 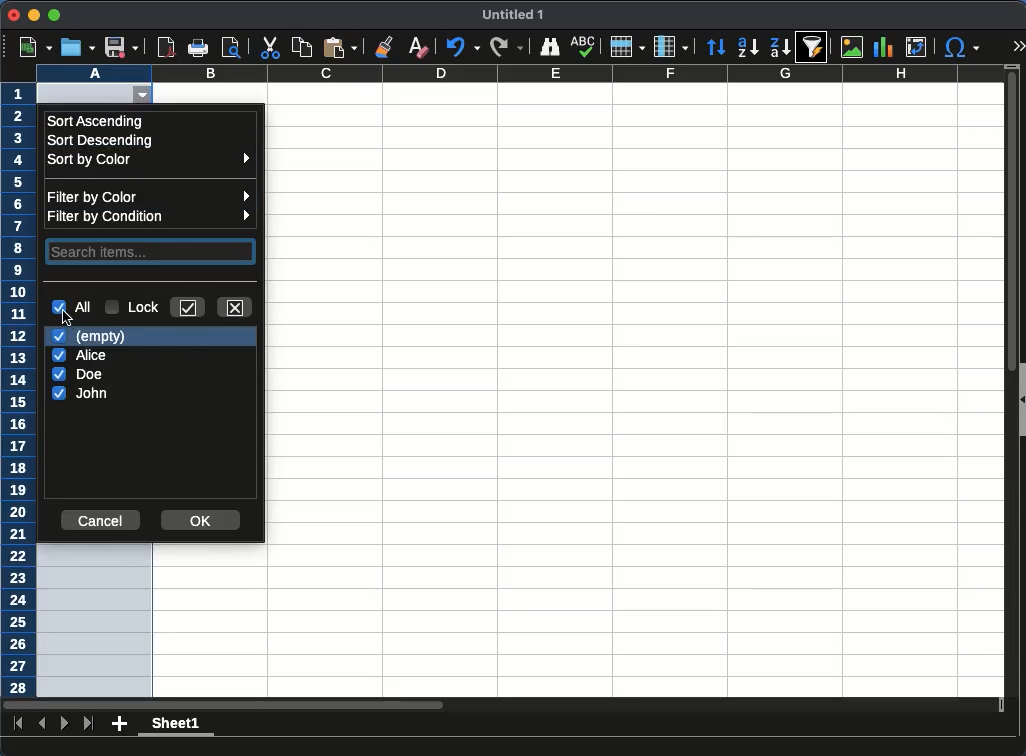 I want to click on john, so click(x=80, y=394).